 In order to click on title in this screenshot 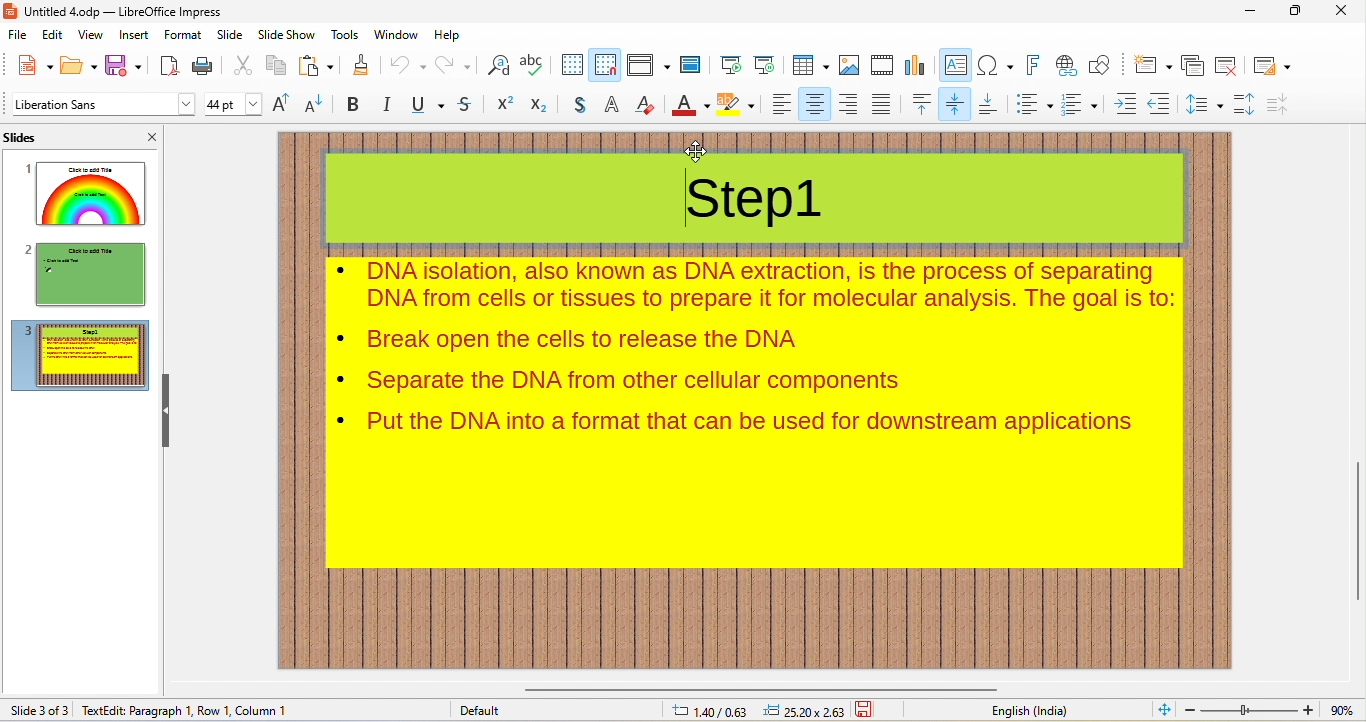, I will do `click(121, 12)`.